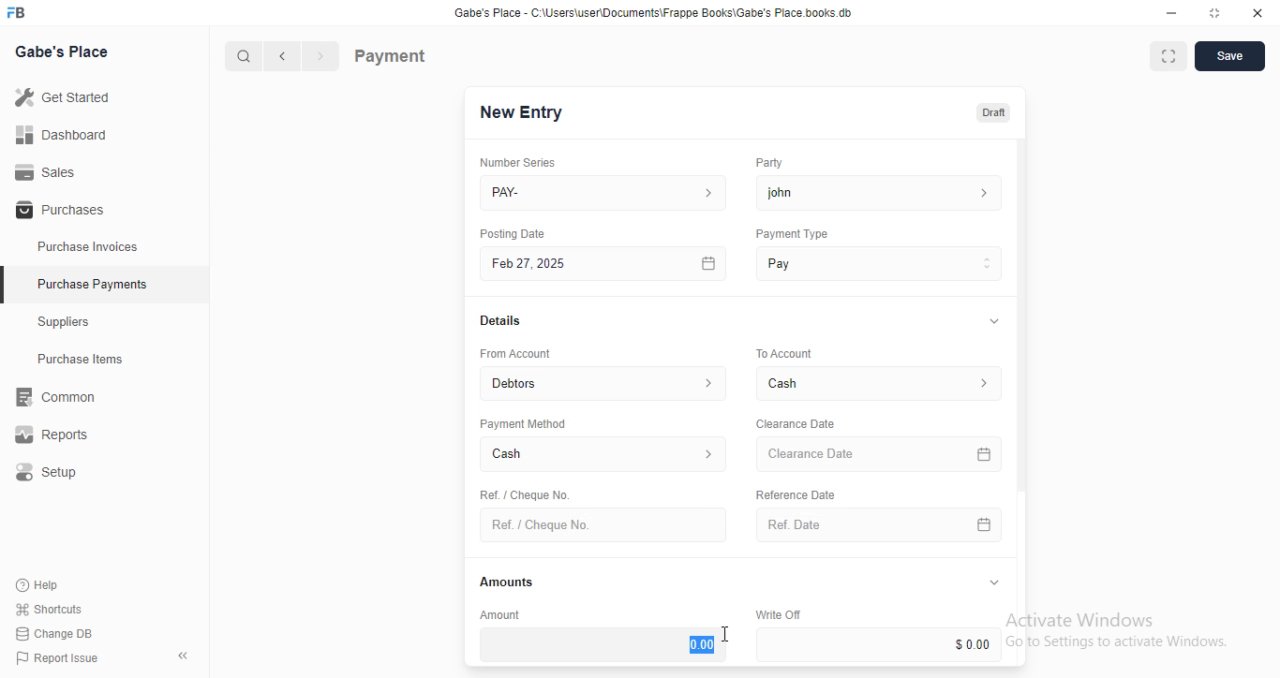  Describe the element at coordinates (606, 264) in the screenshot. I see `Feb 27, 2025` at that location.